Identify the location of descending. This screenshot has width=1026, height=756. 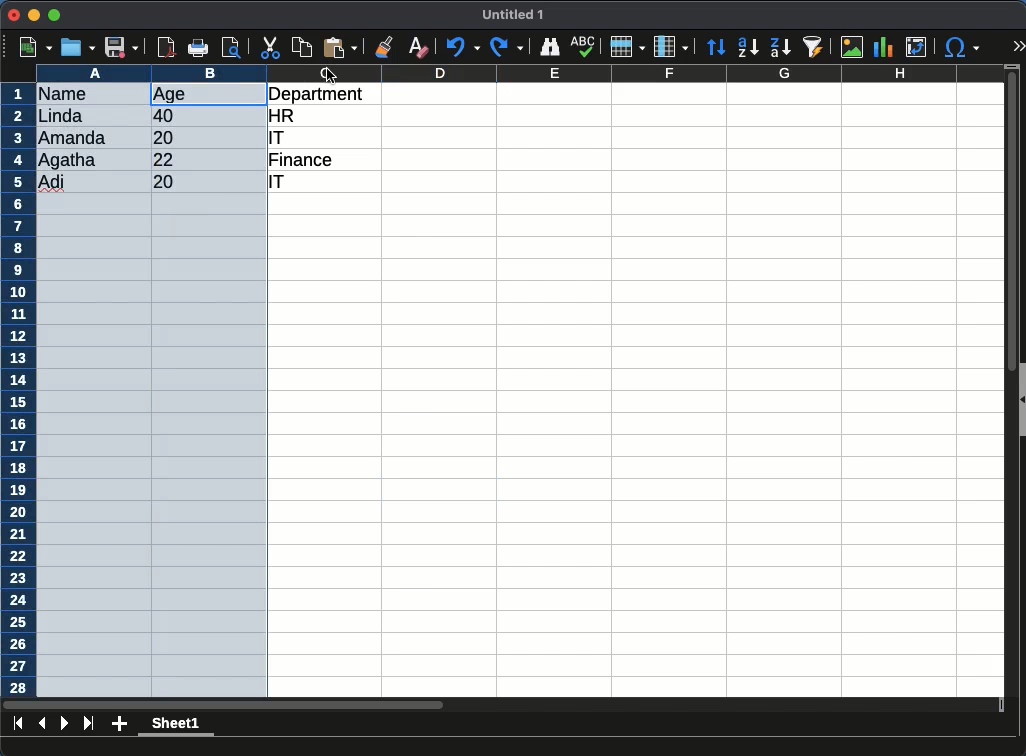
(779, 46).